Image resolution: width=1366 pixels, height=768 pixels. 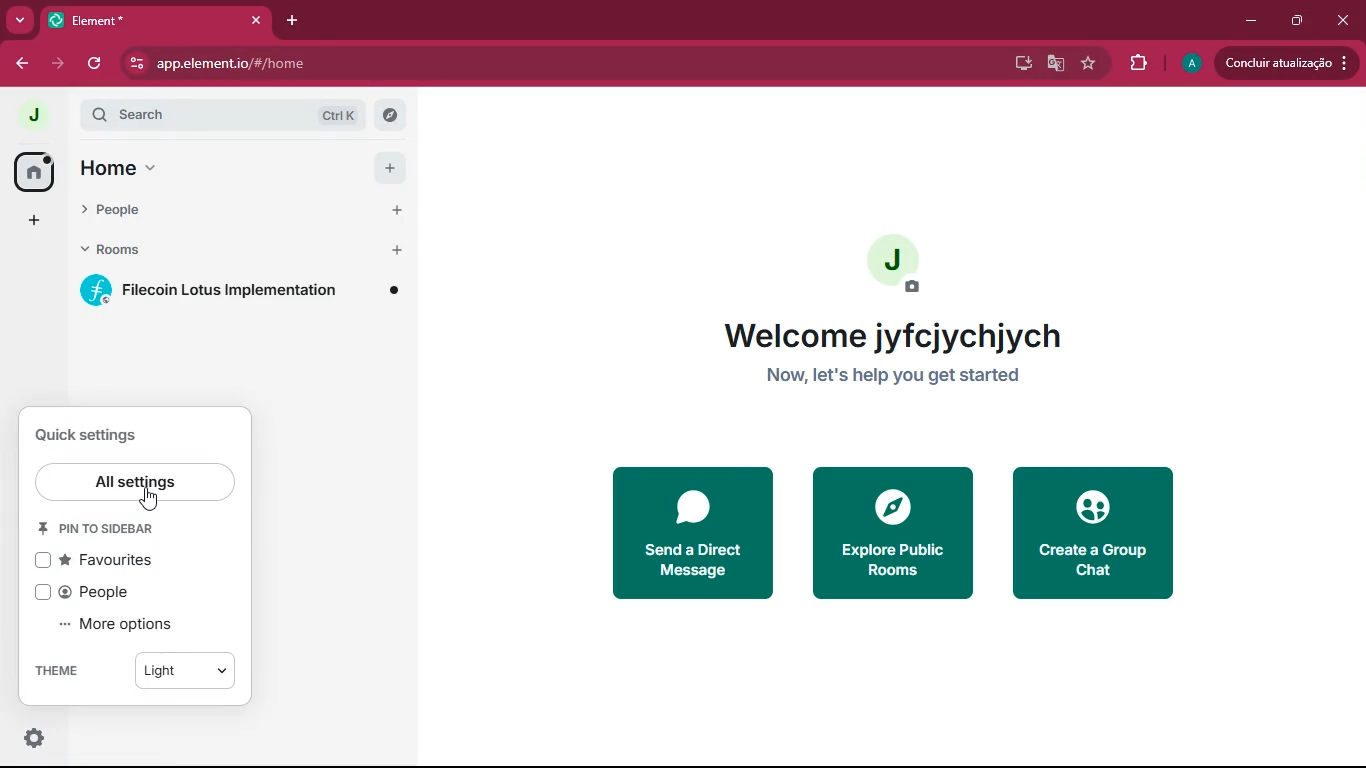 I want to click on theme, so click(x=70, y=671).